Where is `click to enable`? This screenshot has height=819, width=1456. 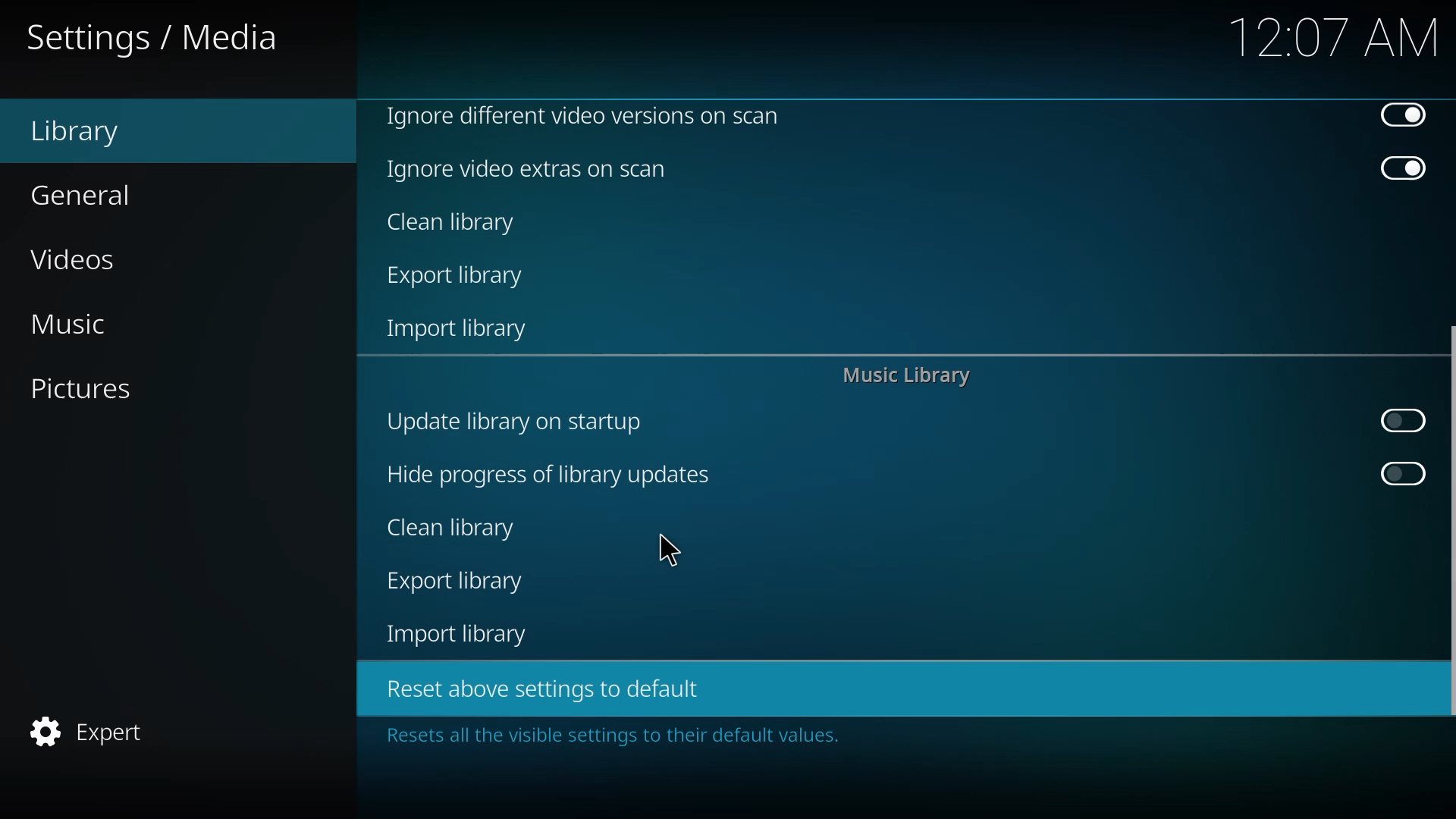 click to enable is located at coordinates (1398, 421).